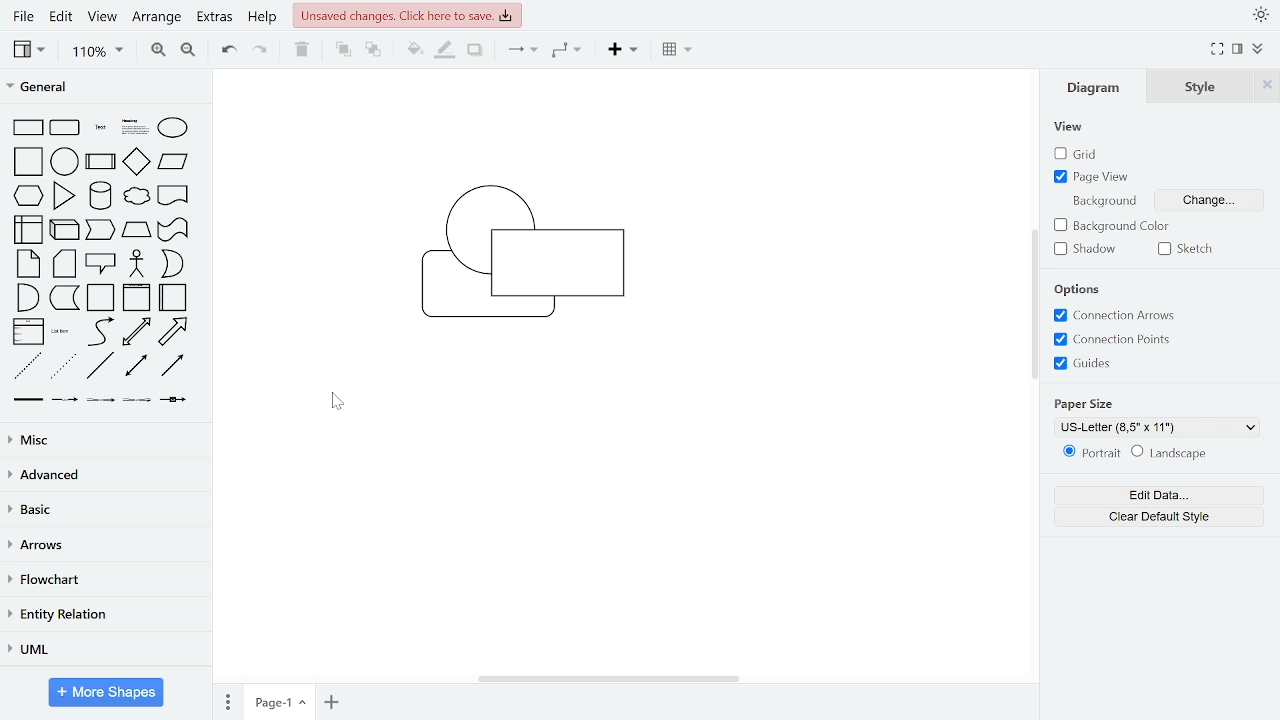 Image resolution: width=1280 pixels, height=720 pixels. Describe the element at coordinates (446, 51) in the screenshot. I see `fill line` at that location.